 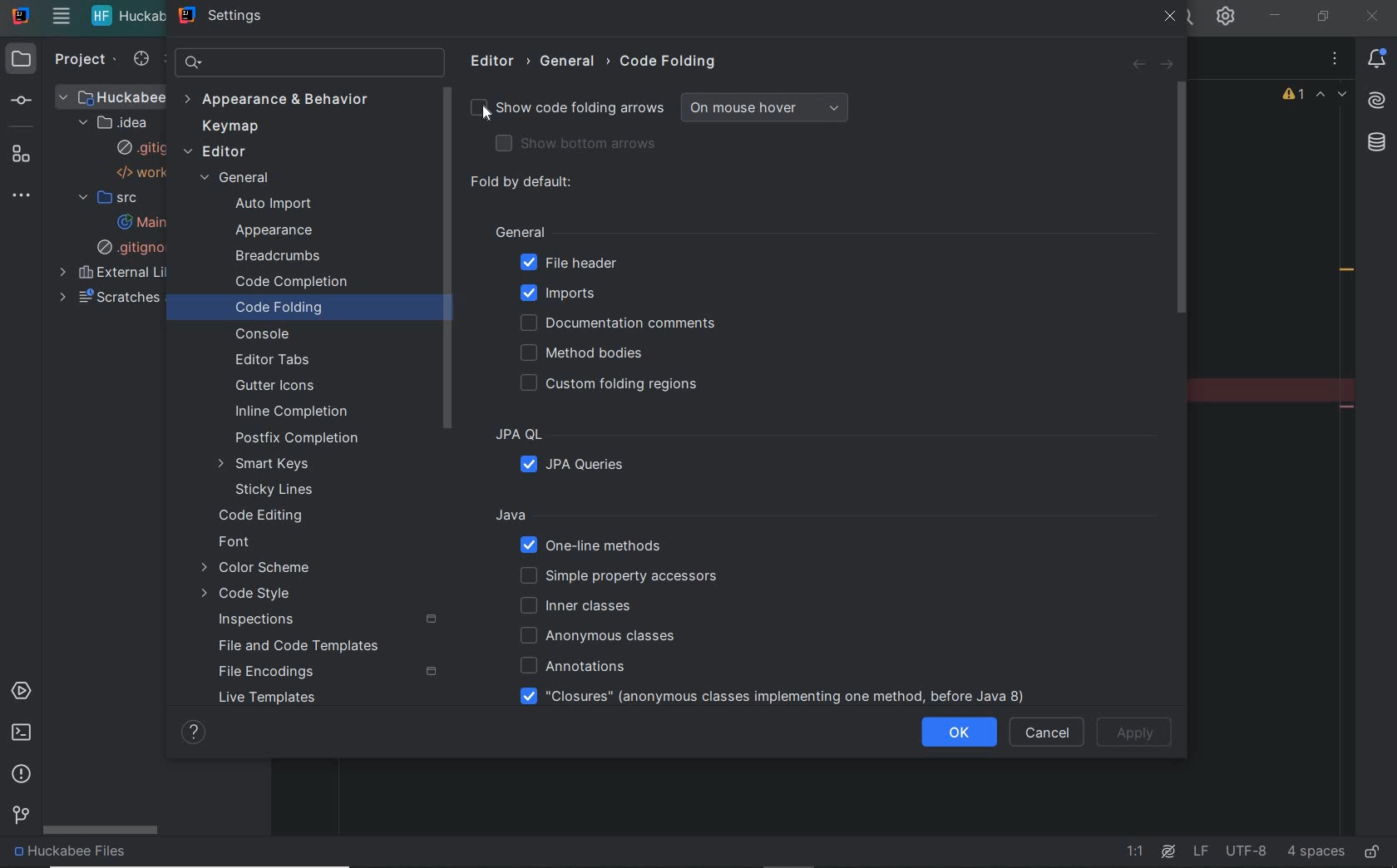 What do you see at coordinates (255, 620) in the screenshot?
I see `inspections` at bounding box center [255, 620].